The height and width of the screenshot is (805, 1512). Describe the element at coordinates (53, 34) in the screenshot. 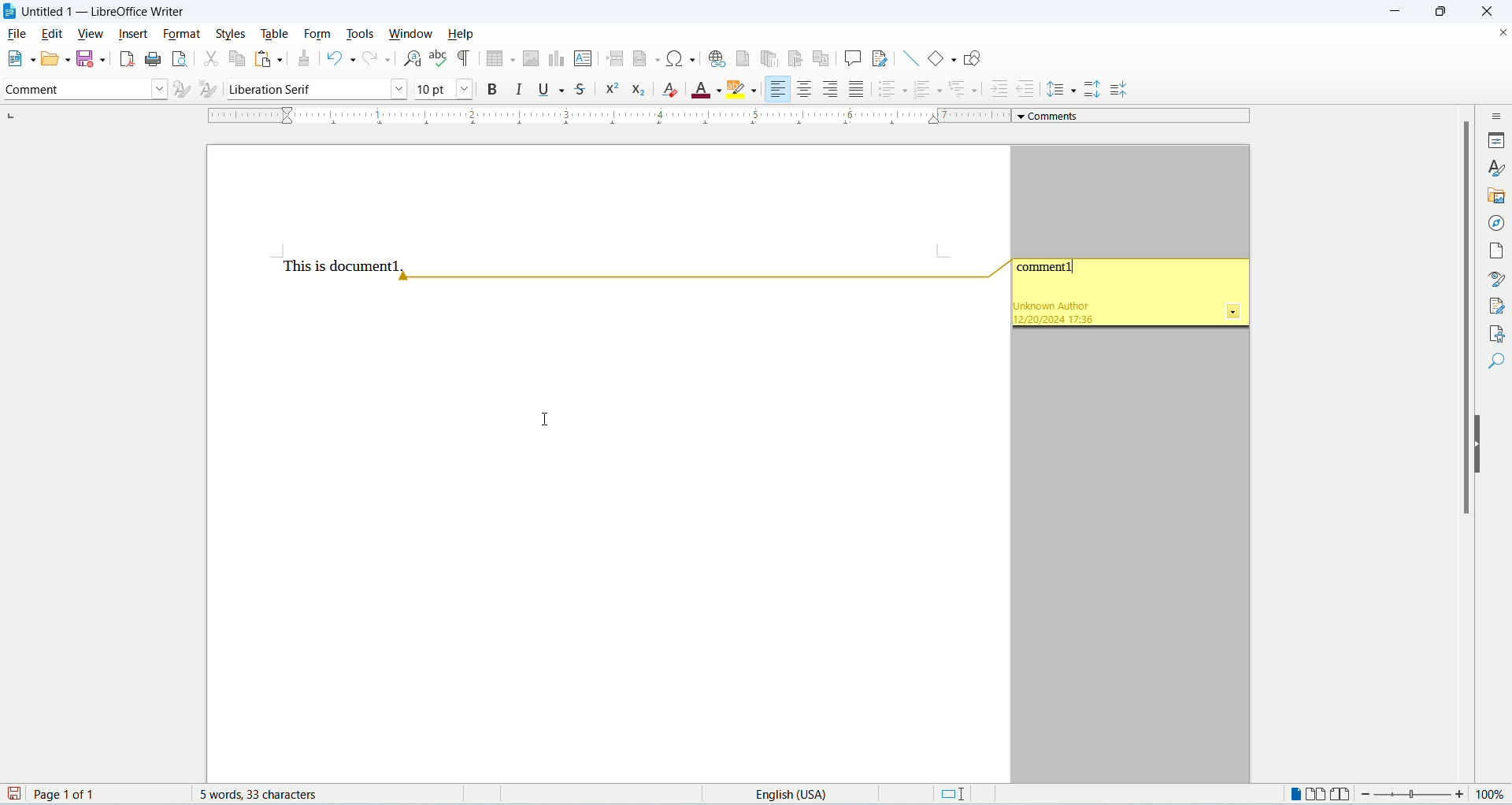

I see `edir` at that location.